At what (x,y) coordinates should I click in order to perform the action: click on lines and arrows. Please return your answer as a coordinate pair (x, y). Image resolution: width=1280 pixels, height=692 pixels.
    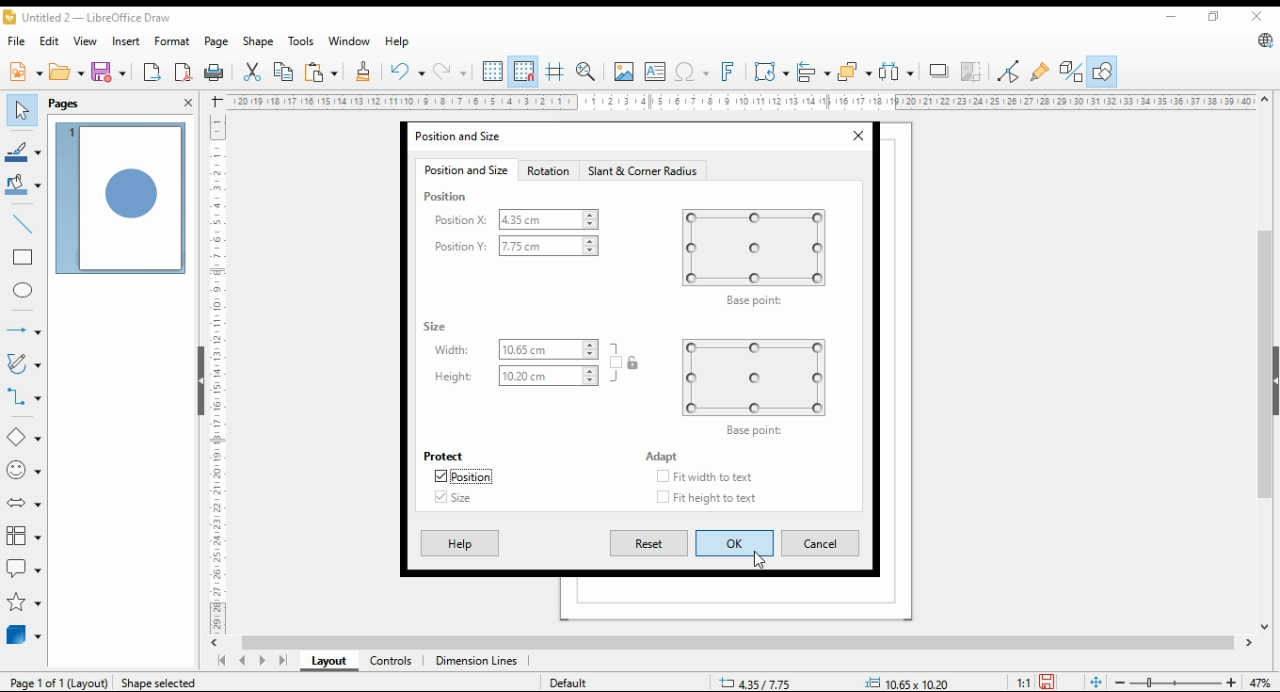
    Looking at the image, I should click on (23, 329).